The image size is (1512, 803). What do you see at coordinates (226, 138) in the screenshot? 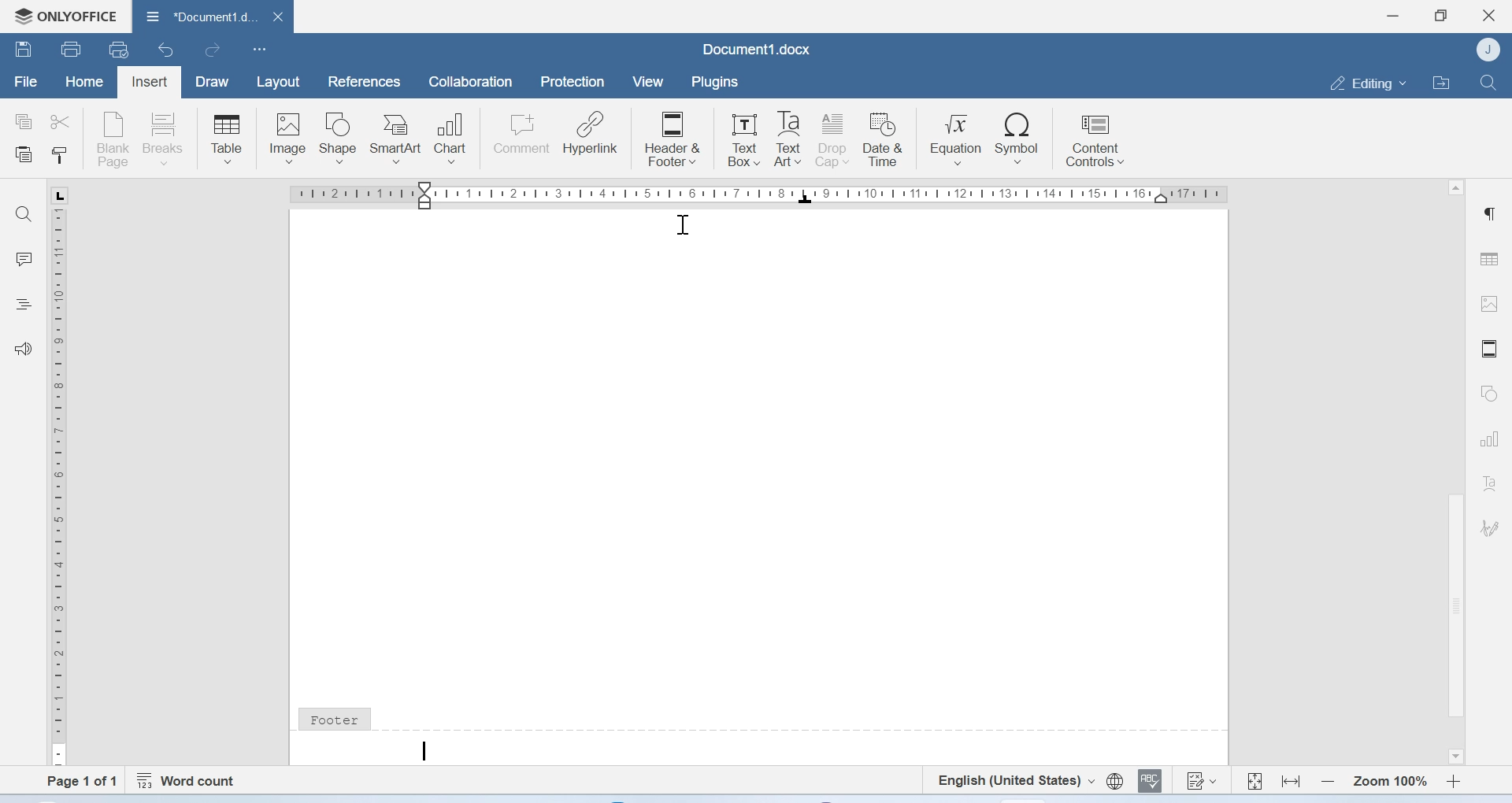
I see `Table` at bounding box center [226, 138].